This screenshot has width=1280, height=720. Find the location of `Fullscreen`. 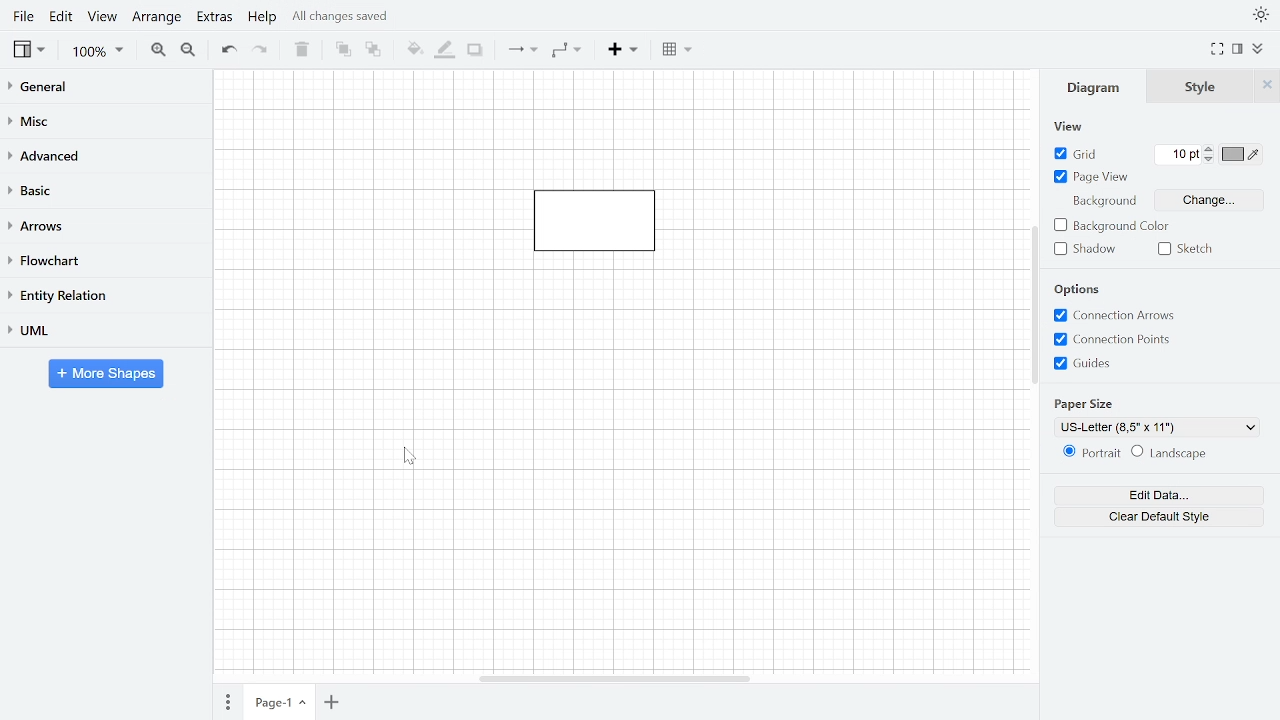

Fullscreen is located at coordinates (1217, 49).